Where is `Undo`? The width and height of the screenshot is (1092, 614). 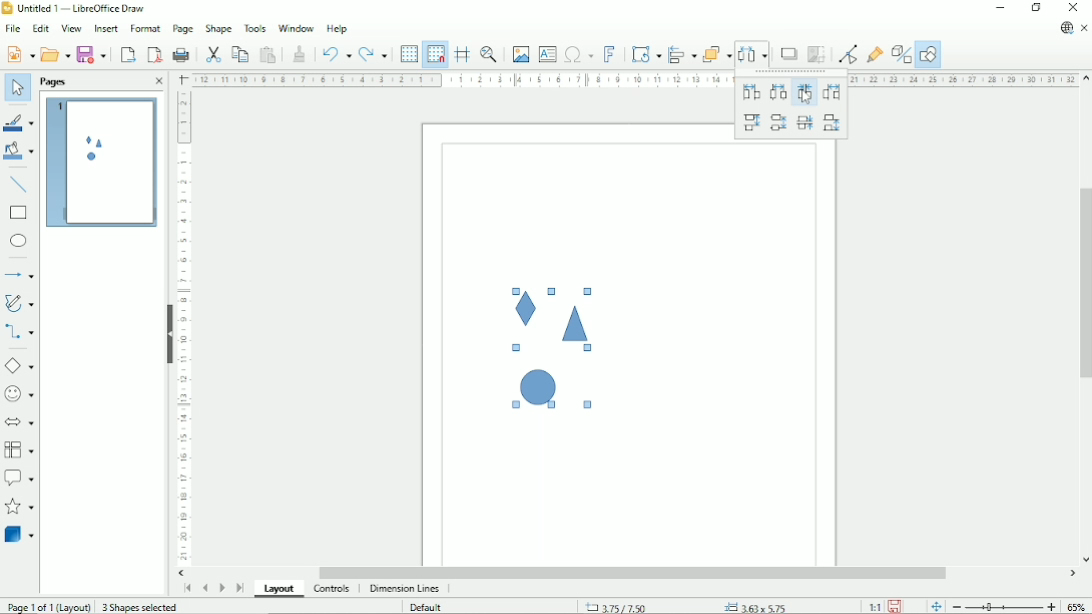
Undo is located at coordinates (336, 52).